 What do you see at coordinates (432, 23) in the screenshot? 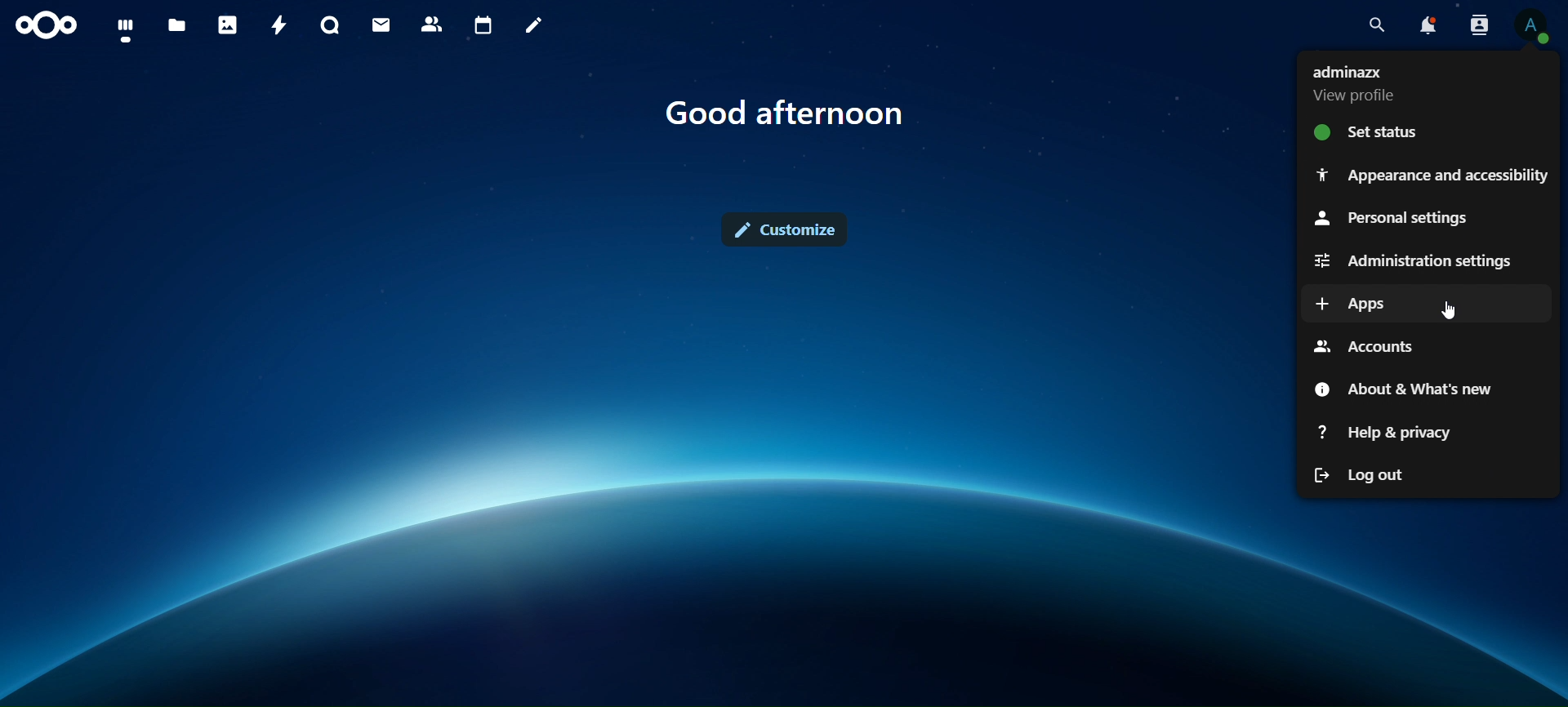
I see `contact` at bounding box center [432, 23].